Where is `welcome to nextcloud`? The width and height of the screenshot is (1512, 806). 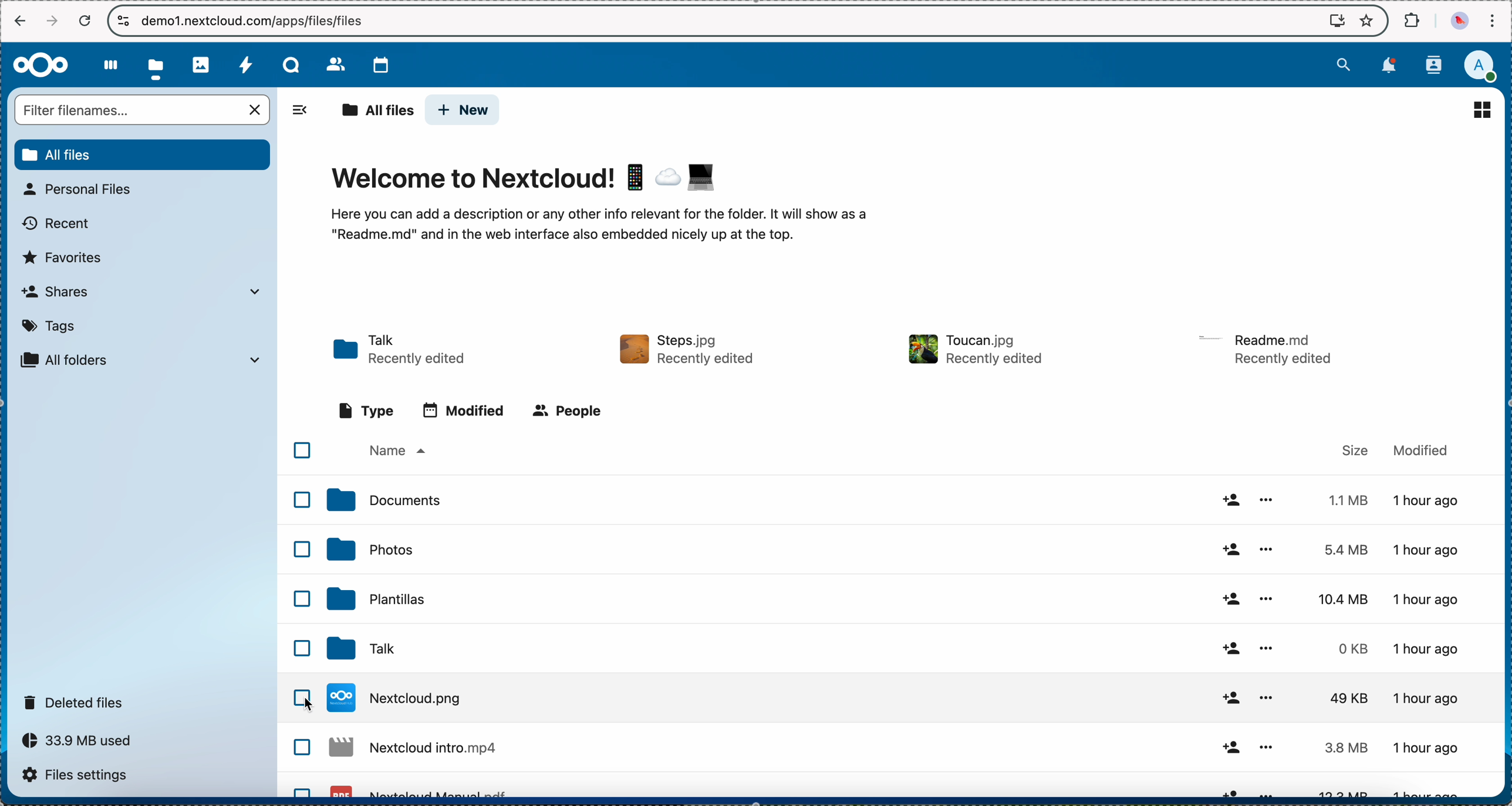 welcome to nextcloud is located at coordinates (610, 204).